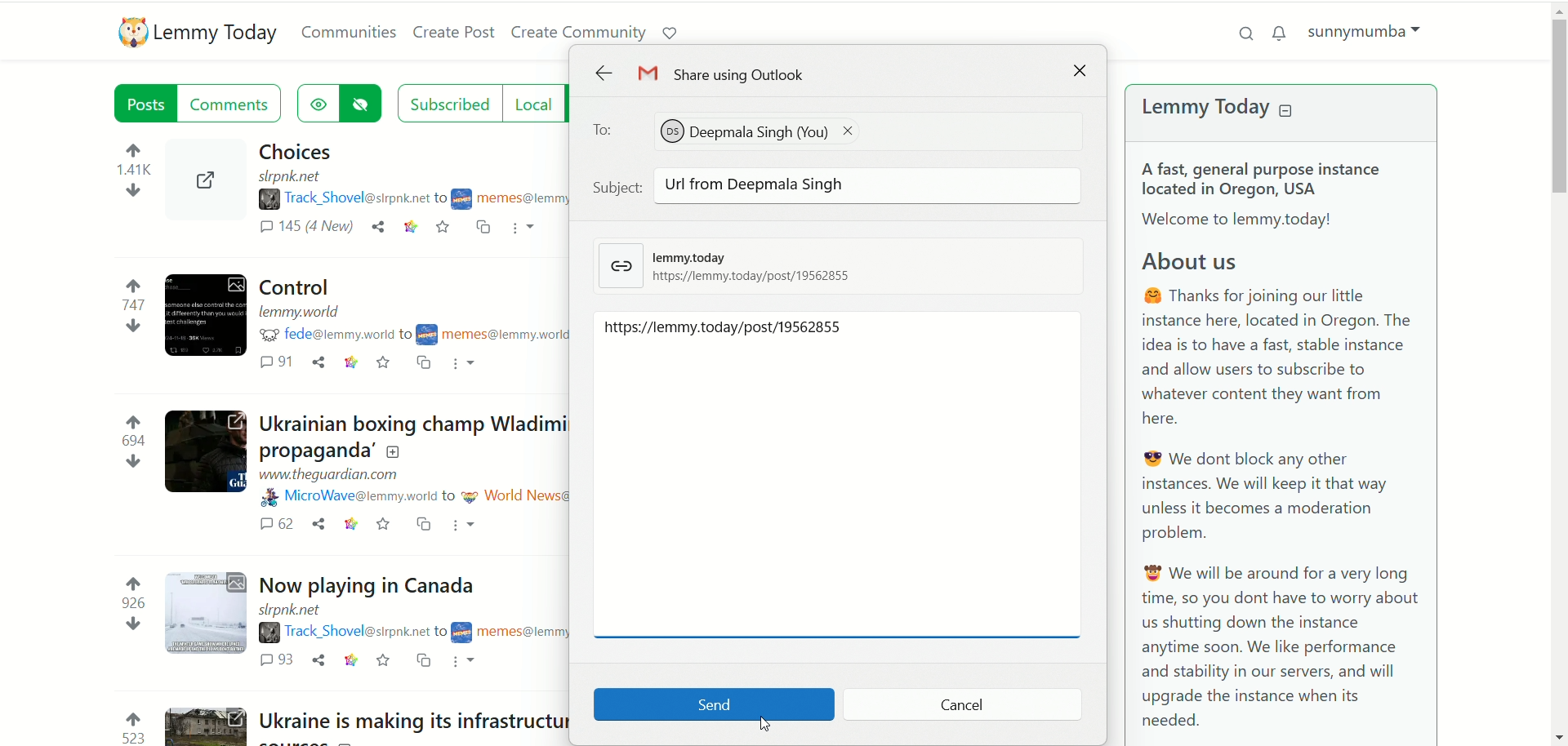 This screenshot has height=746, width=1568. Describe the element at coordinates (352, 497) in the screenshot. I see `username` at that location.